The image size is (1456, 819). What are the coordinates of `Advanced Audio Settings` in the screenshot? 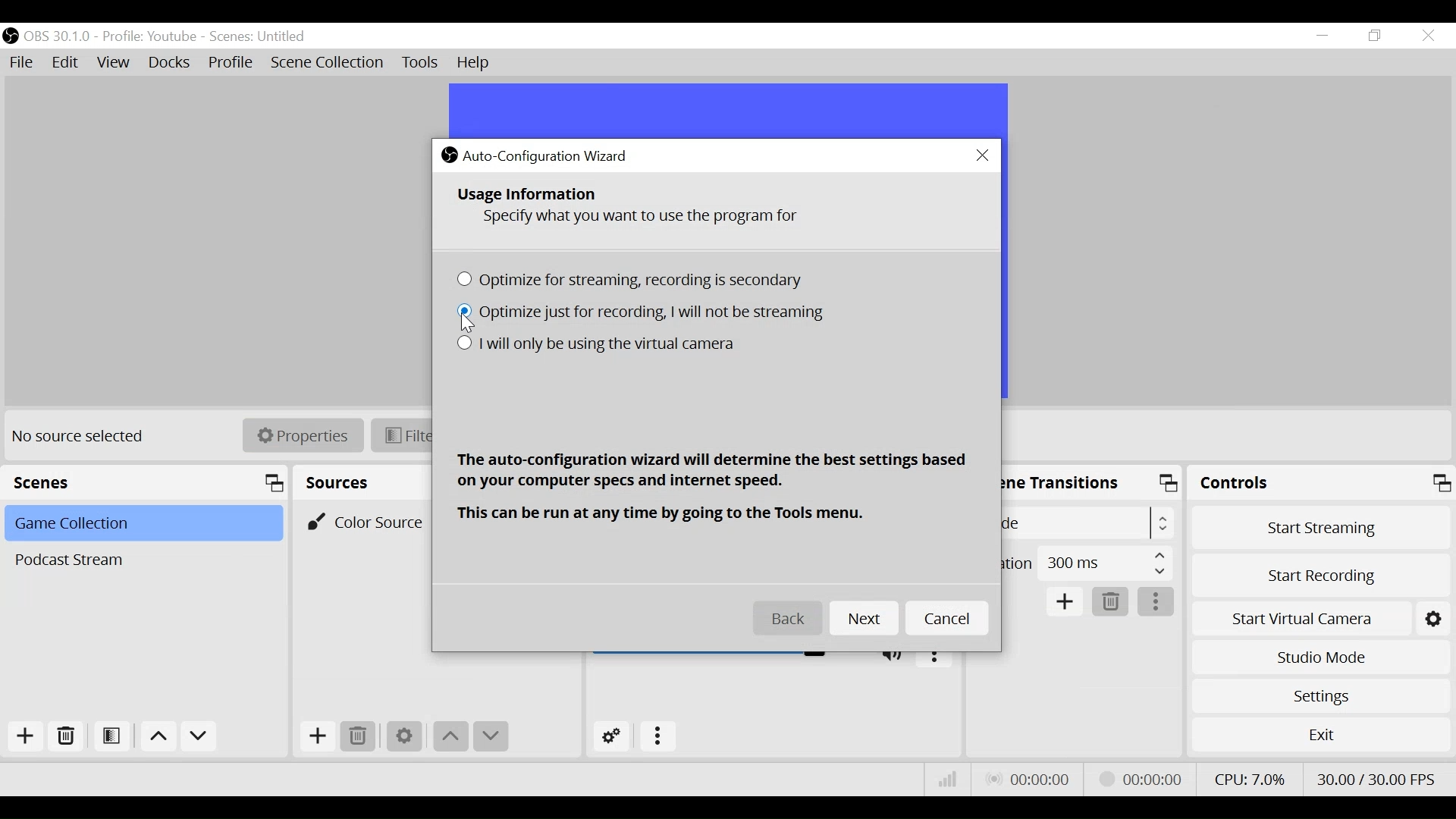 It's located at (609, 736).